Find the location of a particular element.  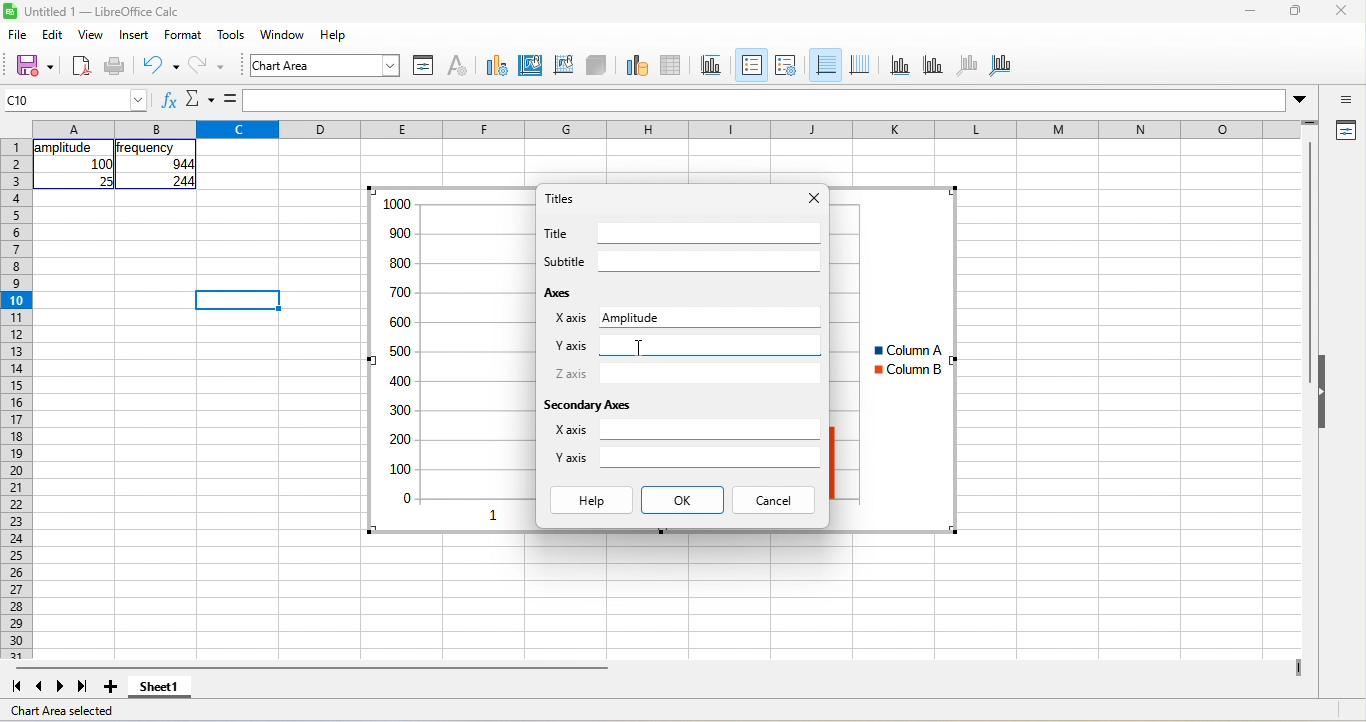

window is located at coordinates (283, 34).